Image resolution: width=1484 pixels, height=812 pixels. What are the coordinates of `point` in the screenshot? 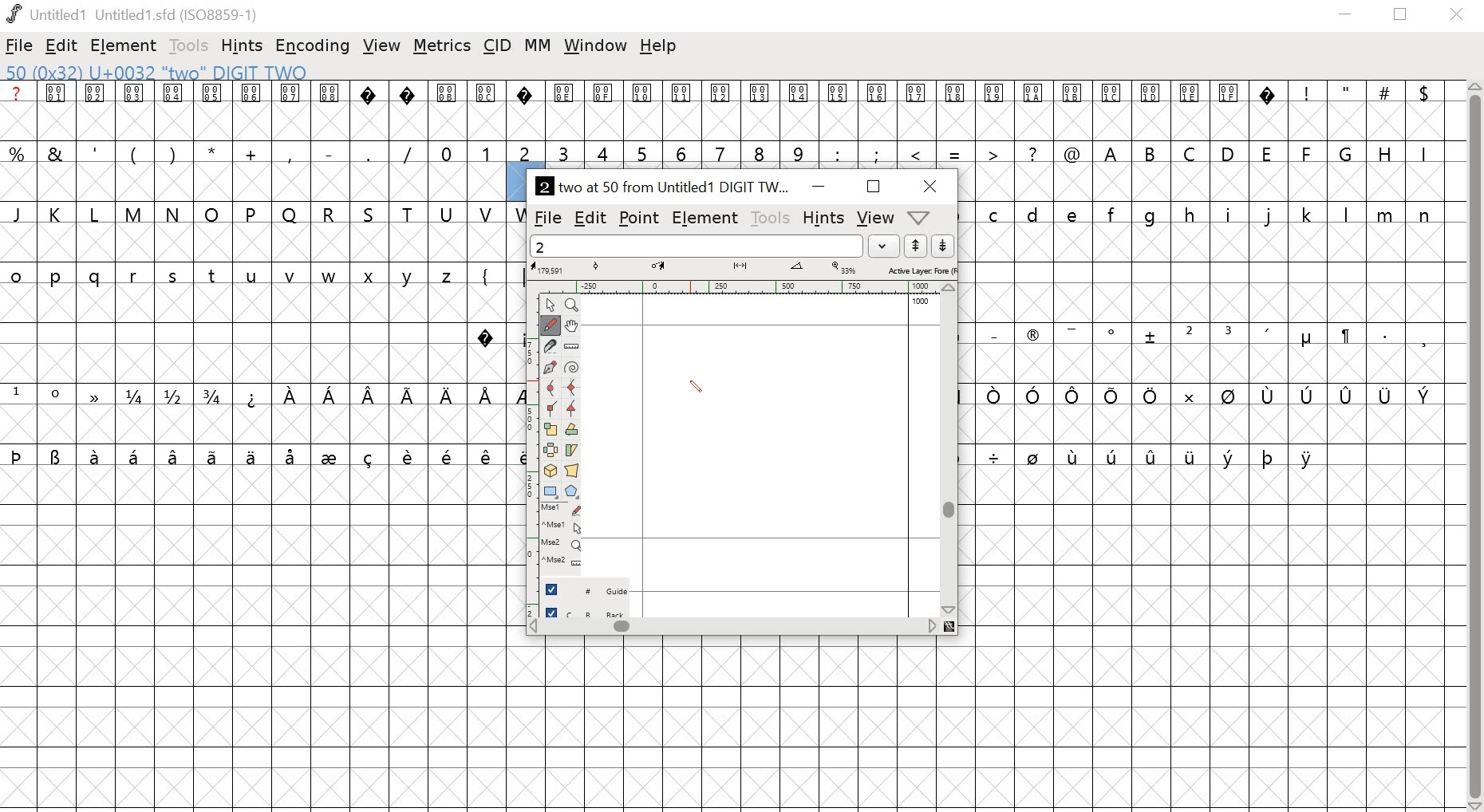 It's located at (553, 305).